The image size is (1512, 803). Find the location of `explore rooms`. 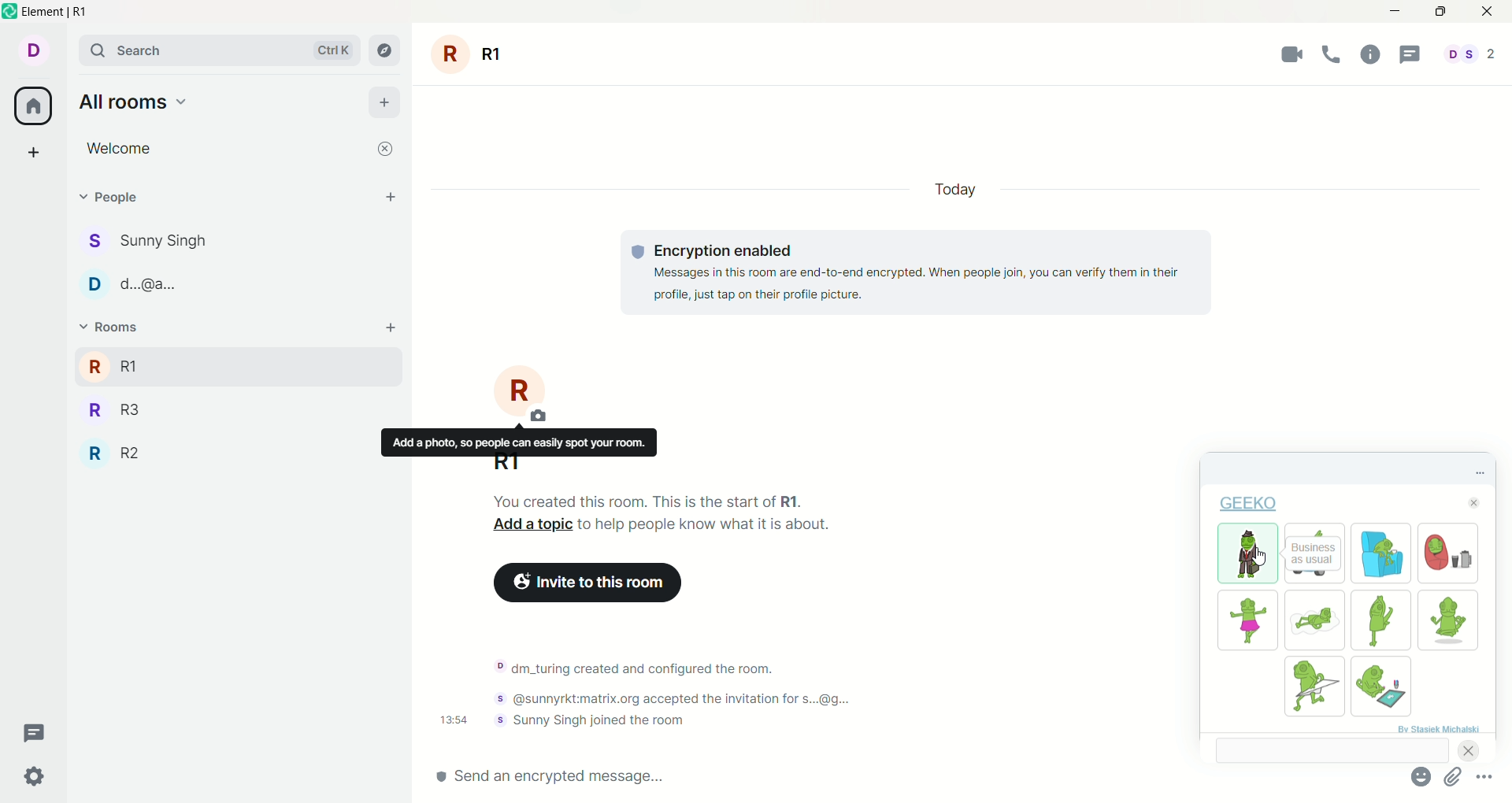

explore rooms is located at coordinates (385, 50).